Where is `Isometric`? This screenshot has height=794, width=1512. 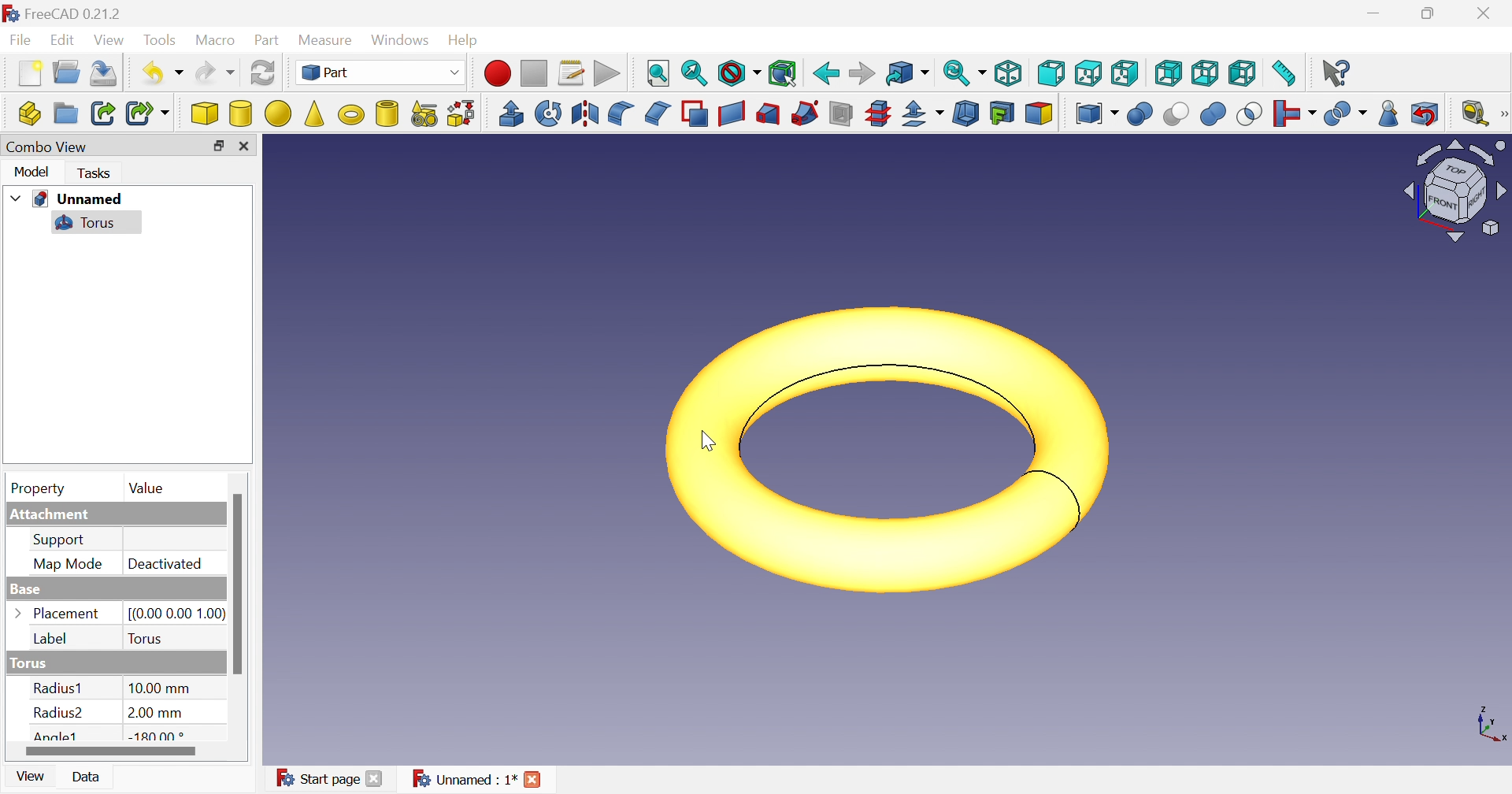
Isometric is located at coordinates (1010, 76).